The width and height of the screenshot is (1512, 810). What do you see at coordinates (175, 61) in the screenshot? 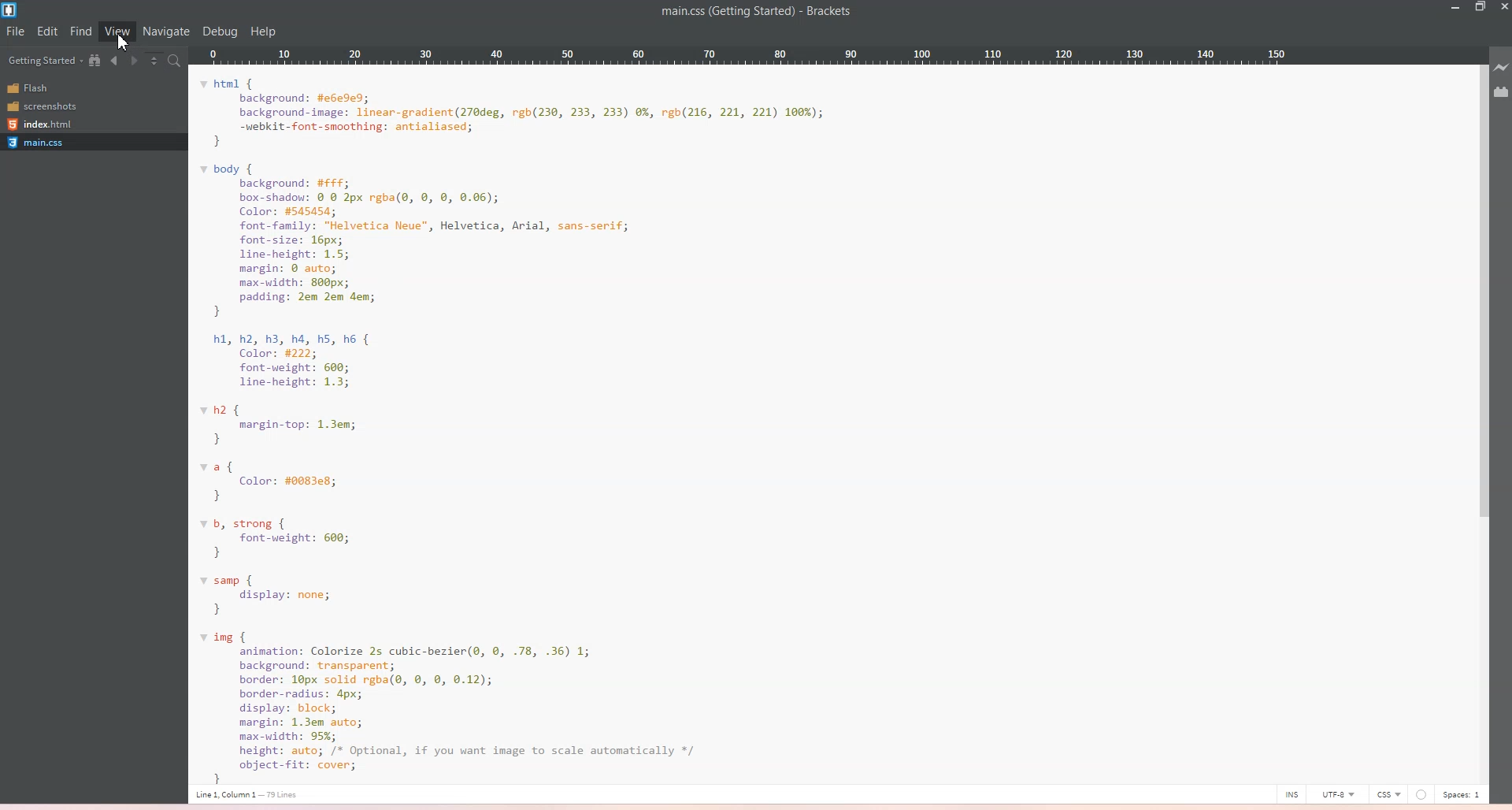
I see `Find in Files` at bounding box center [175, 61].